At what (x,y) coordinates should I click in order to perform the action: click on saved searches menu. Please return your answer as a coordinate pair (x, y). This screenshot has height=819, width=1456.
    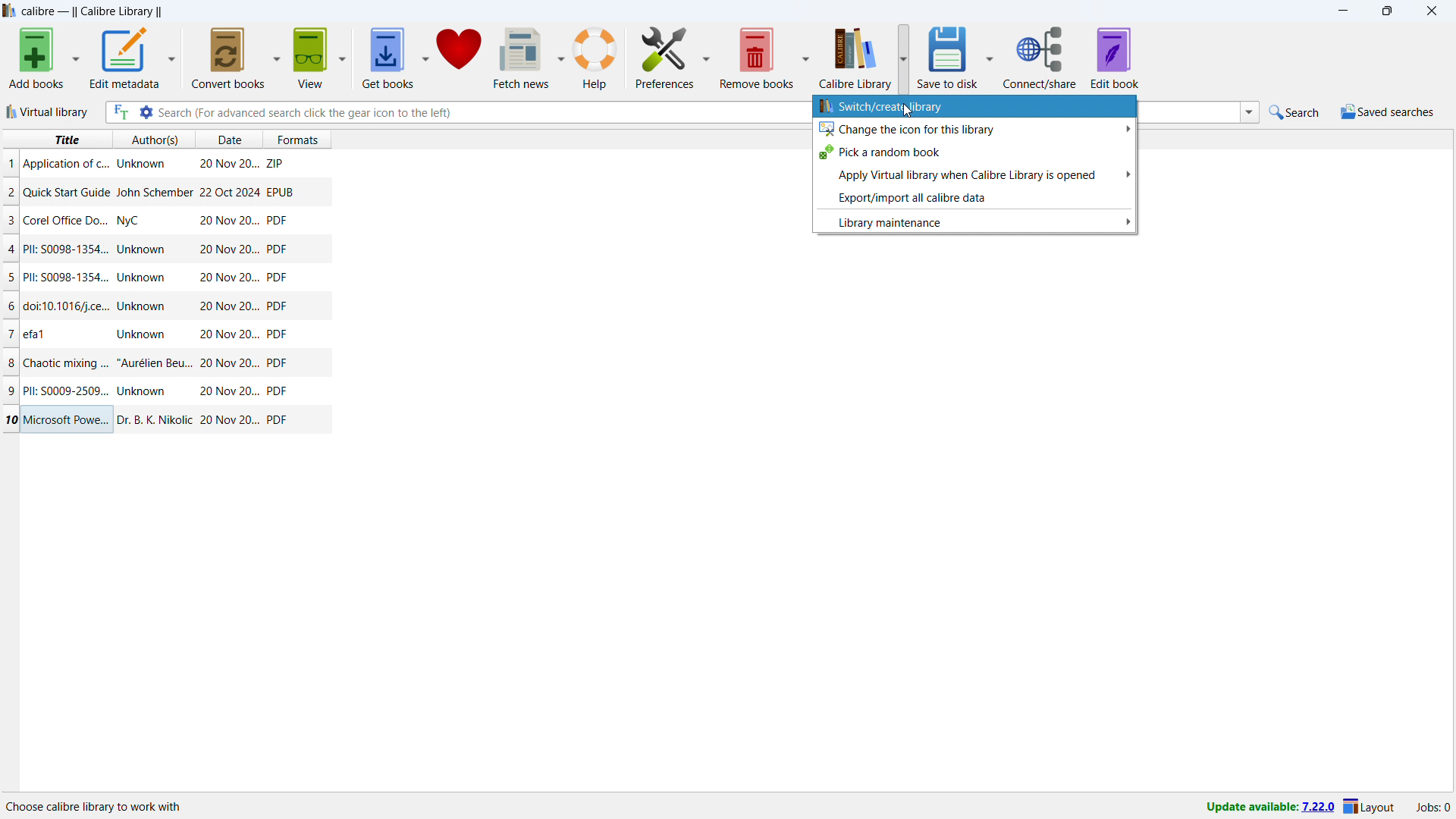
    Looking at the image, I should click on (1387, 112).